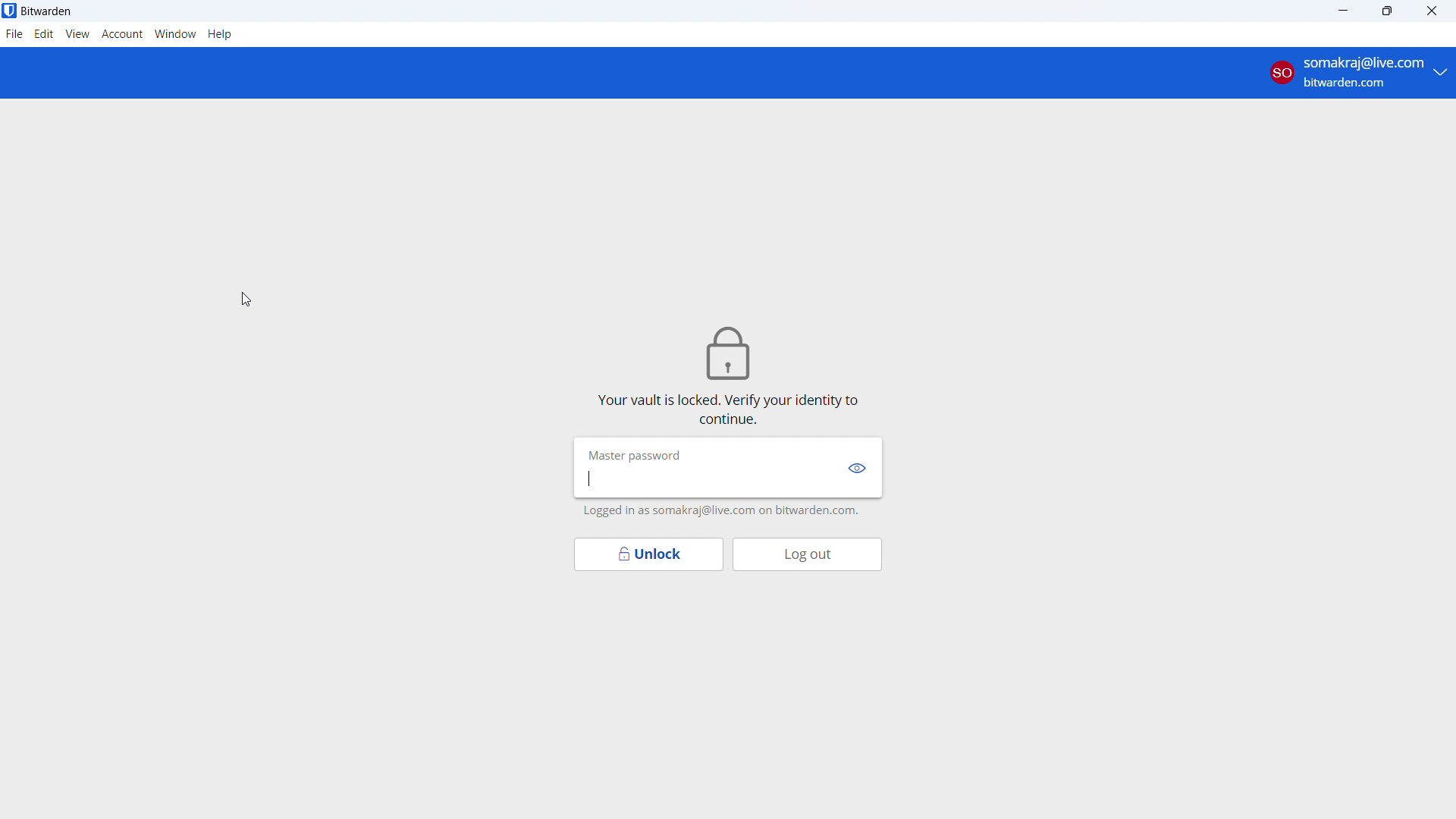  Describe the element at coordinates (220, 34) in the screenshot. I see `help` at that location.